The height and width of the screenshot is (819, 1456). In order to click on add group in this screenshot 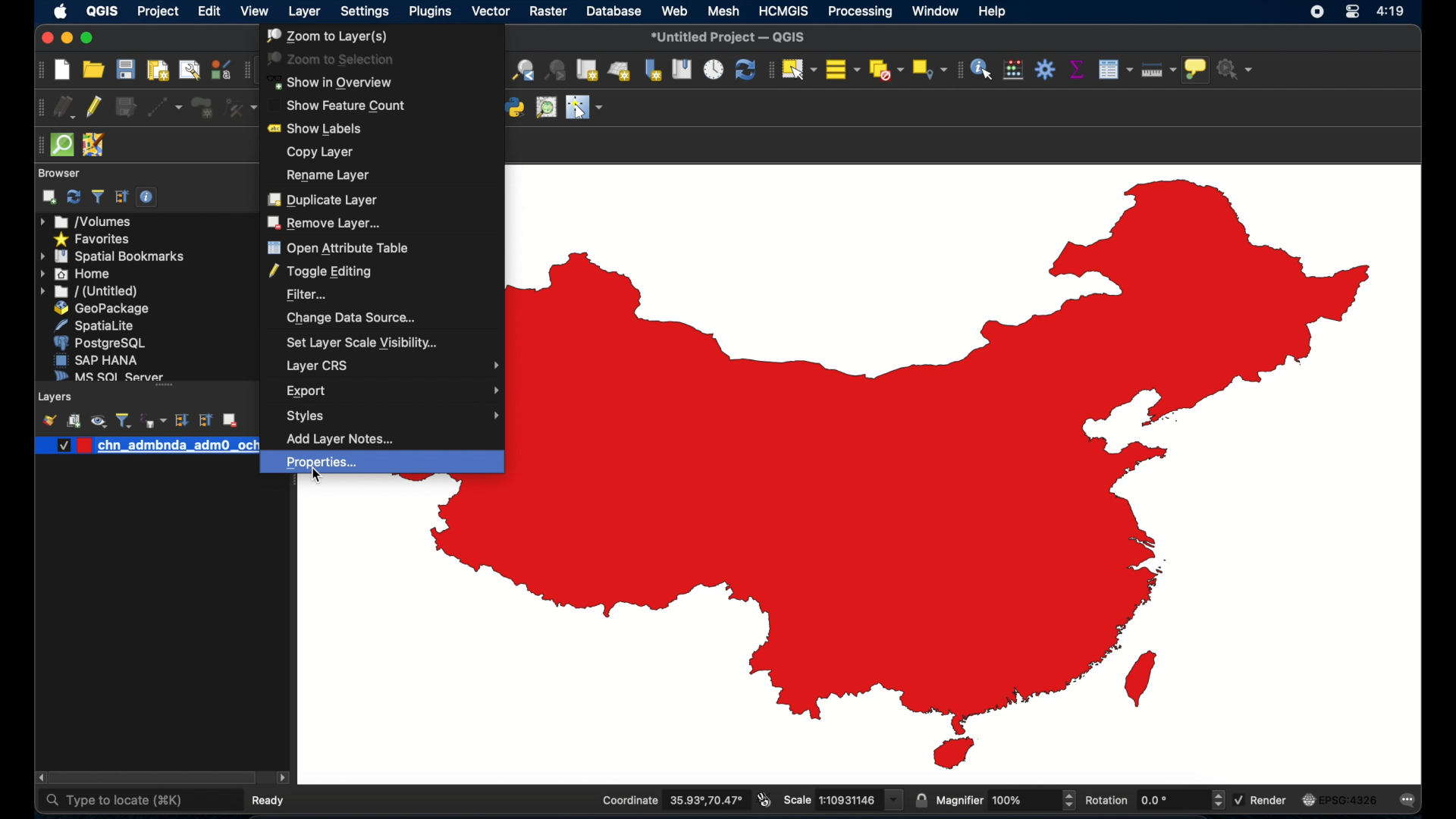, I will do `click(74, 422)`.